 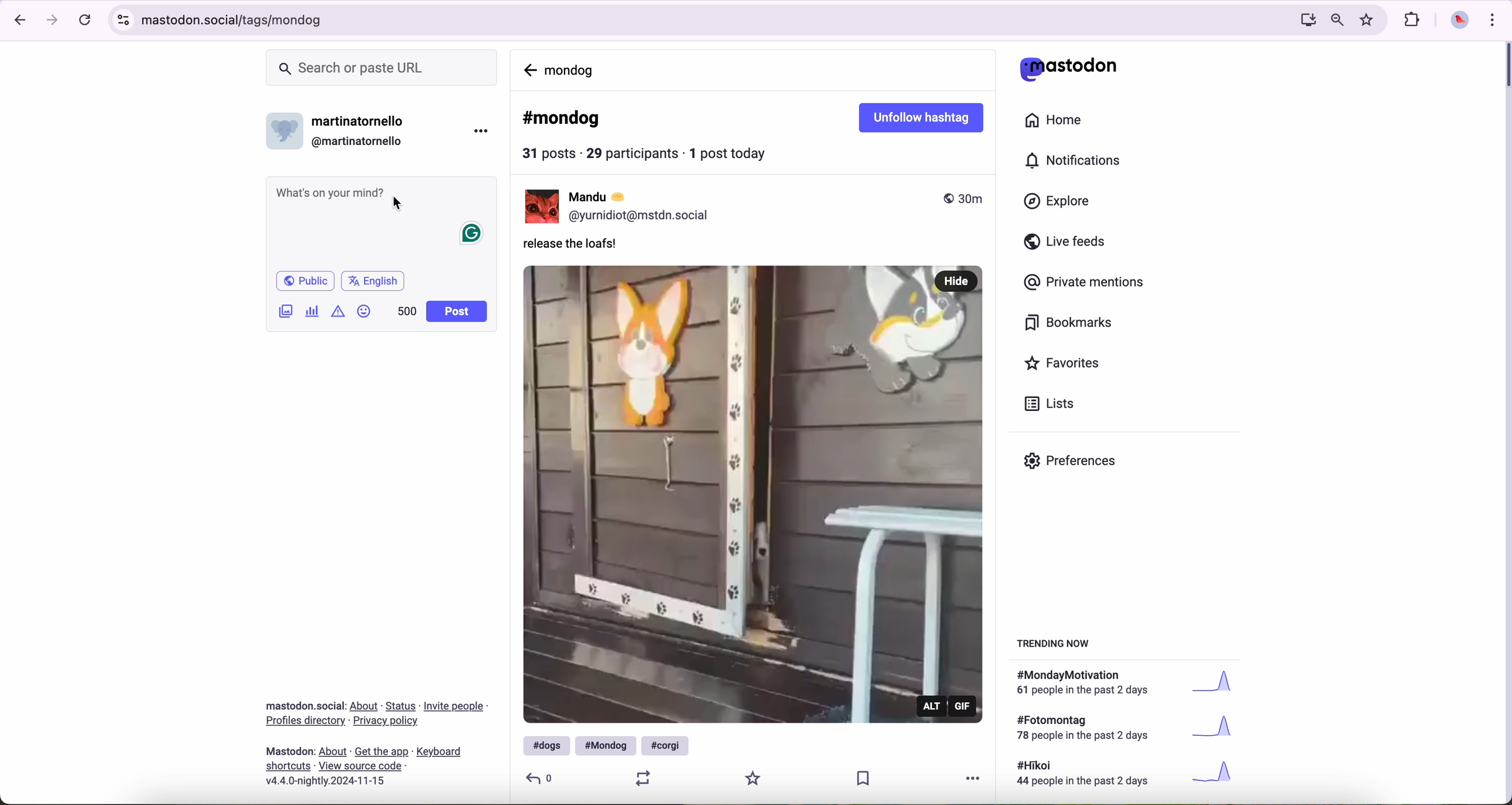 I want to click on live feeds, so click(x=1067, y=242).